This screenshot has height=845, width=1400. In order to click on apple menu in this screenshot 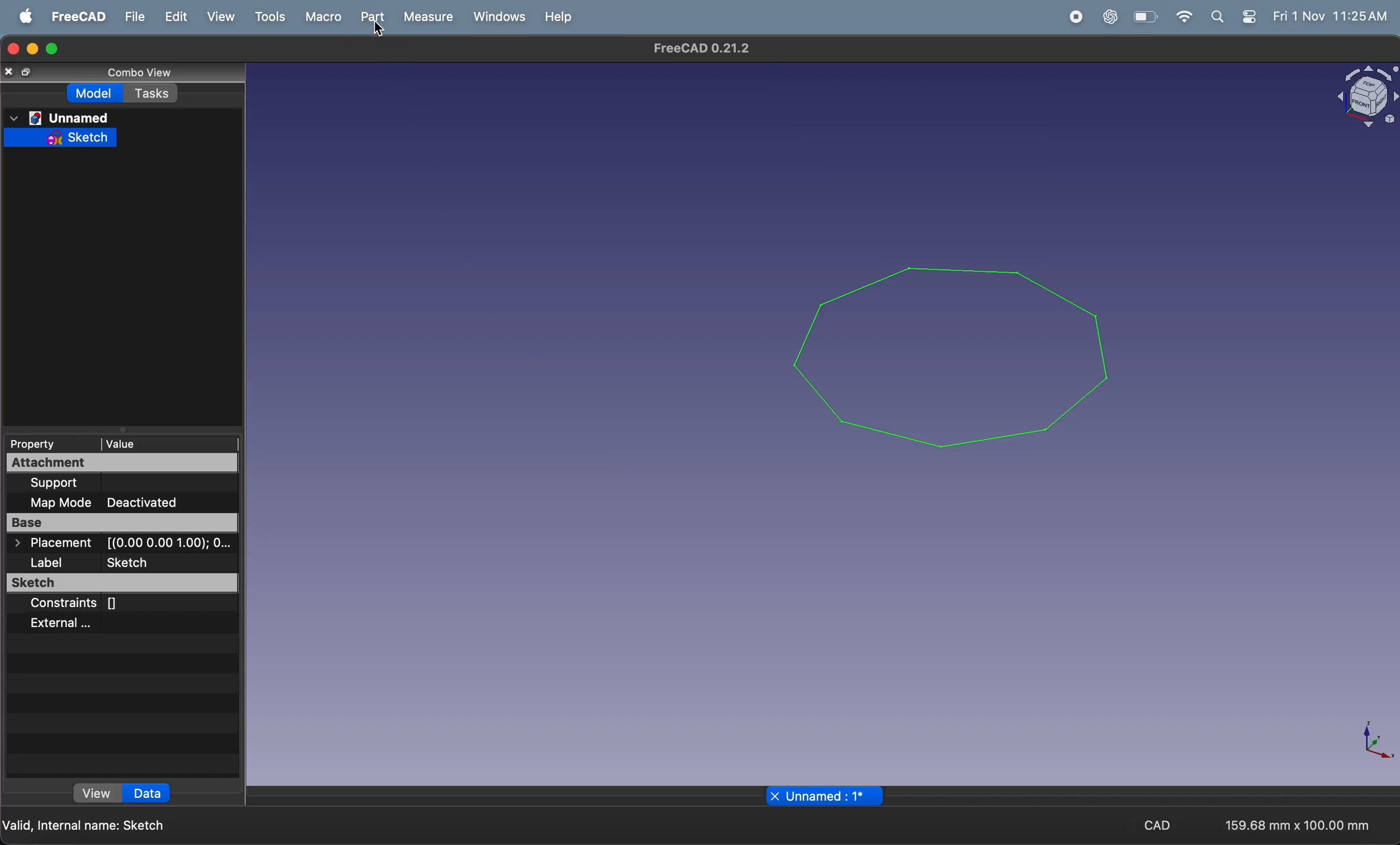, I will do `click(22, 16)`.